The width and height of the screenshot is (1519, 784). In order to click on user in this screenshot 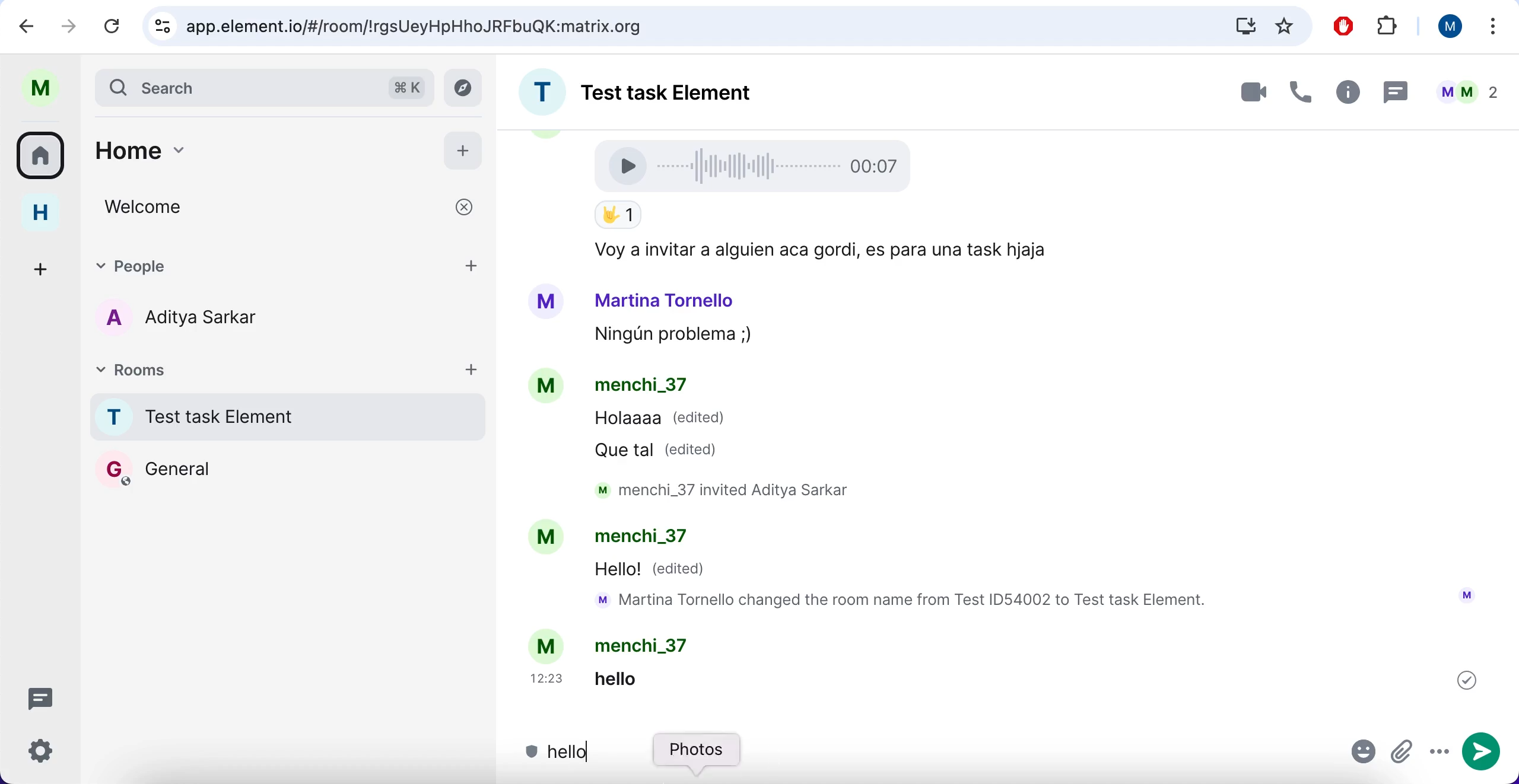, I will do `click(46, 88)`.